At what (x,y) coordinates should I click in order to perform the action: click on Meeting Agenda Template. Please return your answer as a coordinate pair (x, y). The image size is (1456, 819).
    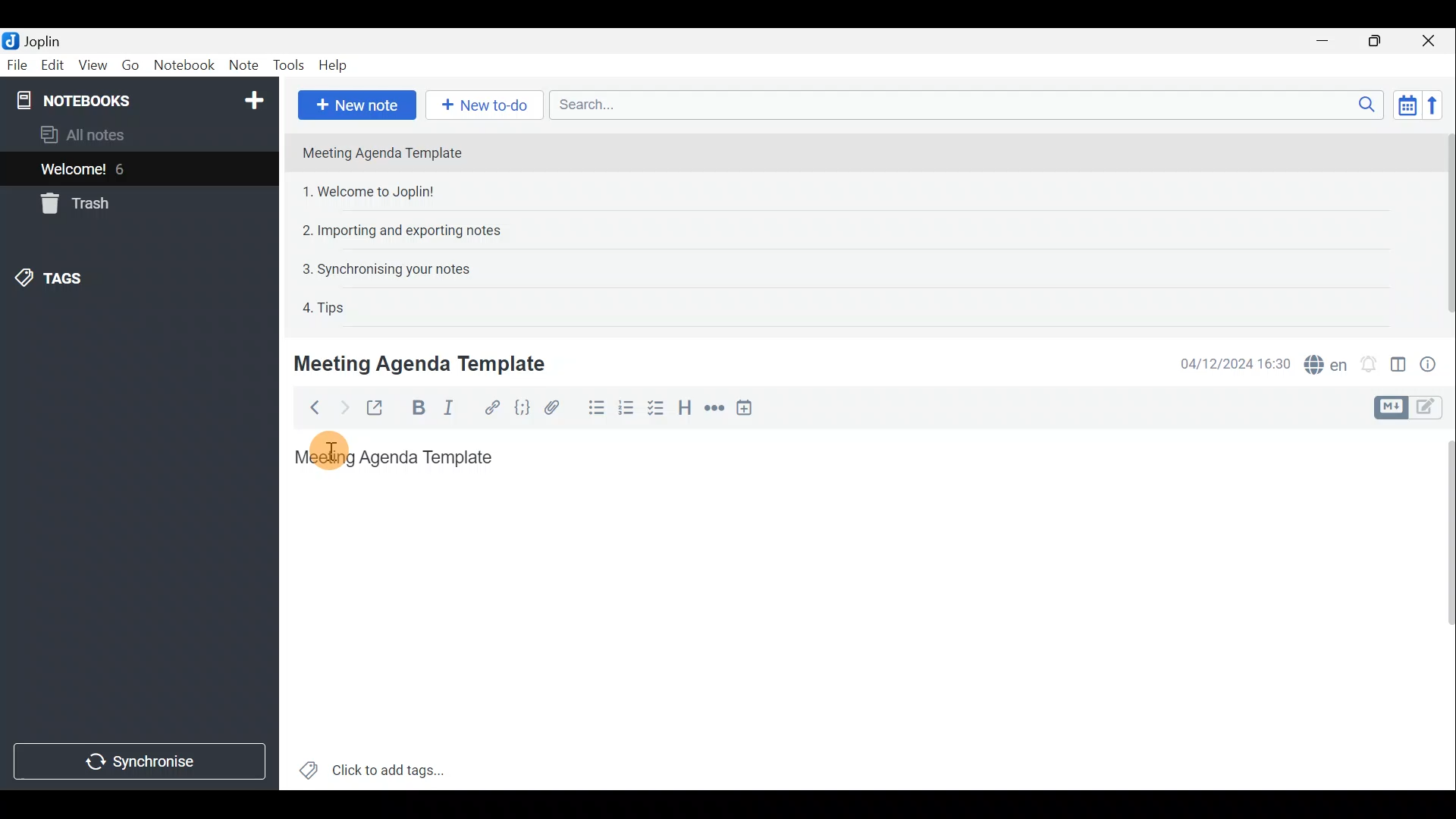
    Looking at the image, I should click on (384, 152).